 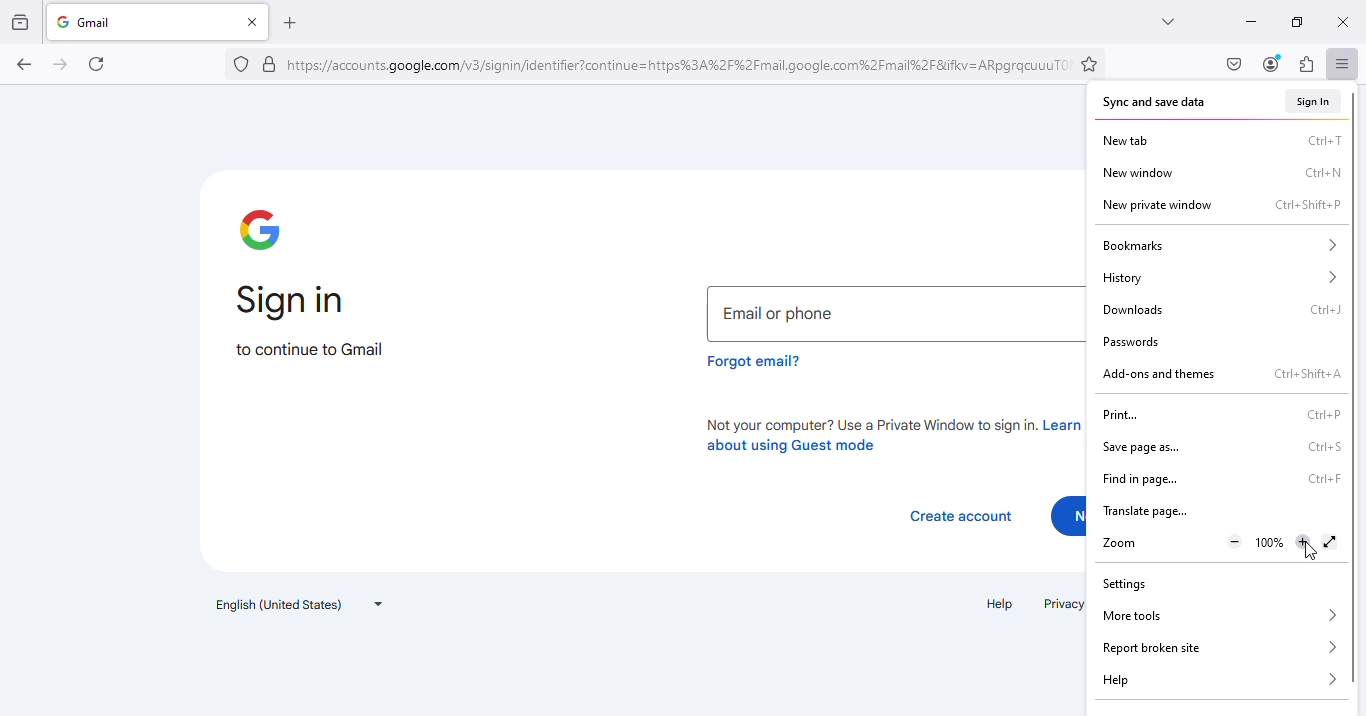 I want to click on save to pocket, so click(x=1235, y=64).